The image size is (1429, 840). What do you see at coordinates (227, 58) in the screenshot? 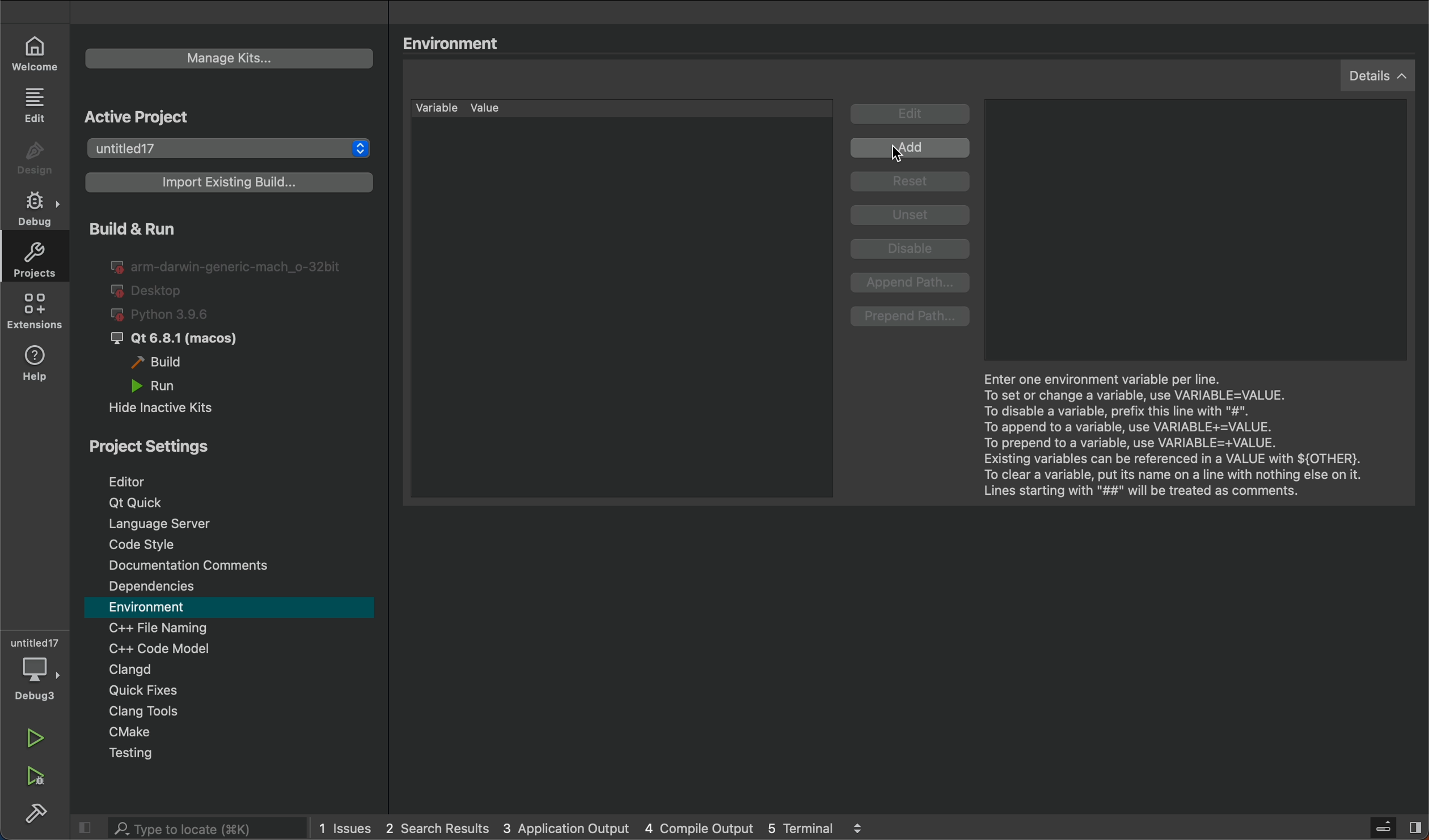
I see `kits` at bounding box center [227, 58].